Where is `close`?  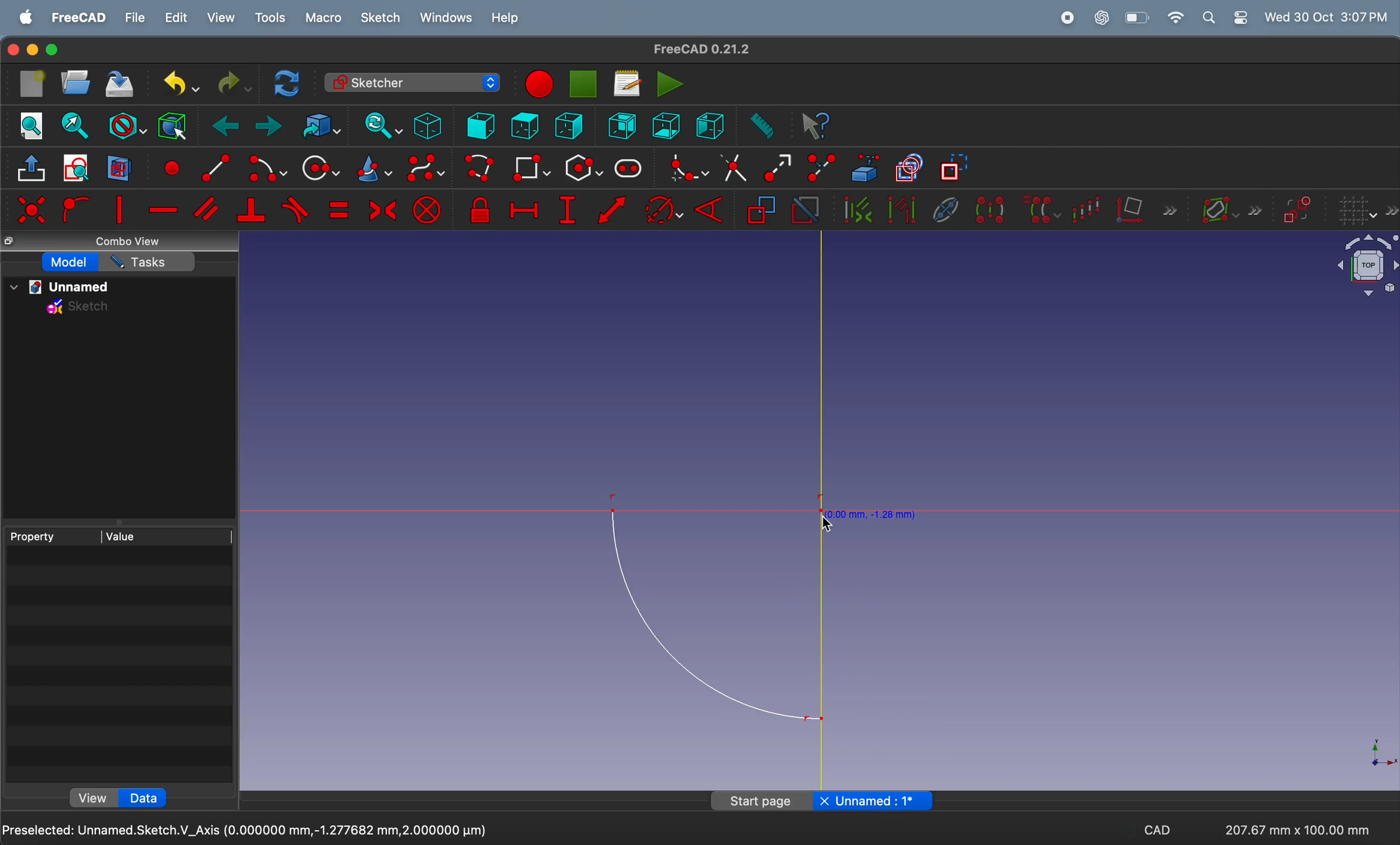 close is located at coordinates (824, 801).